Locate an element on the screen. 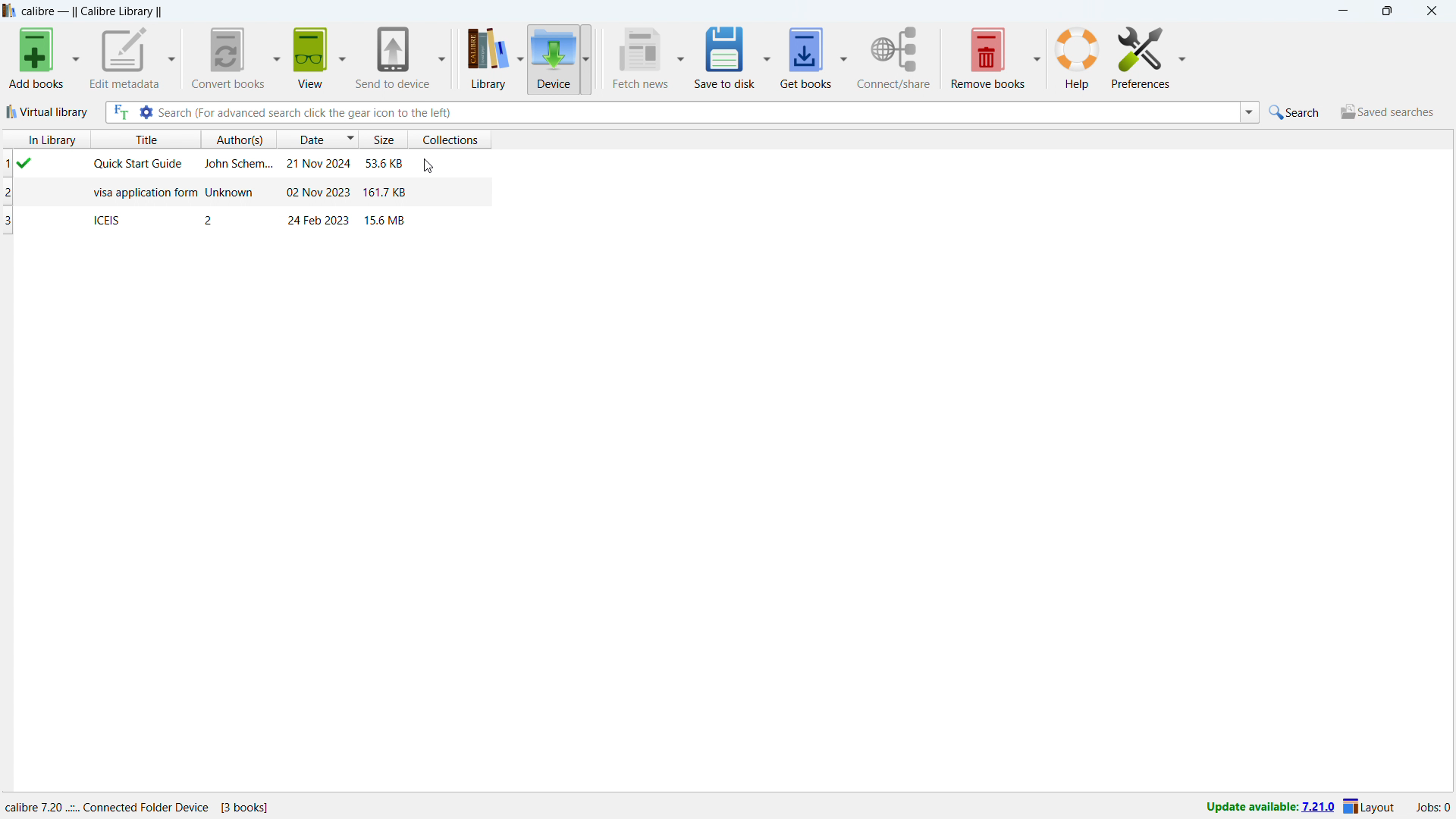 The width and height of the screenshot is (1456, 819). book on device (in library) is located at coordinates (292, 165).